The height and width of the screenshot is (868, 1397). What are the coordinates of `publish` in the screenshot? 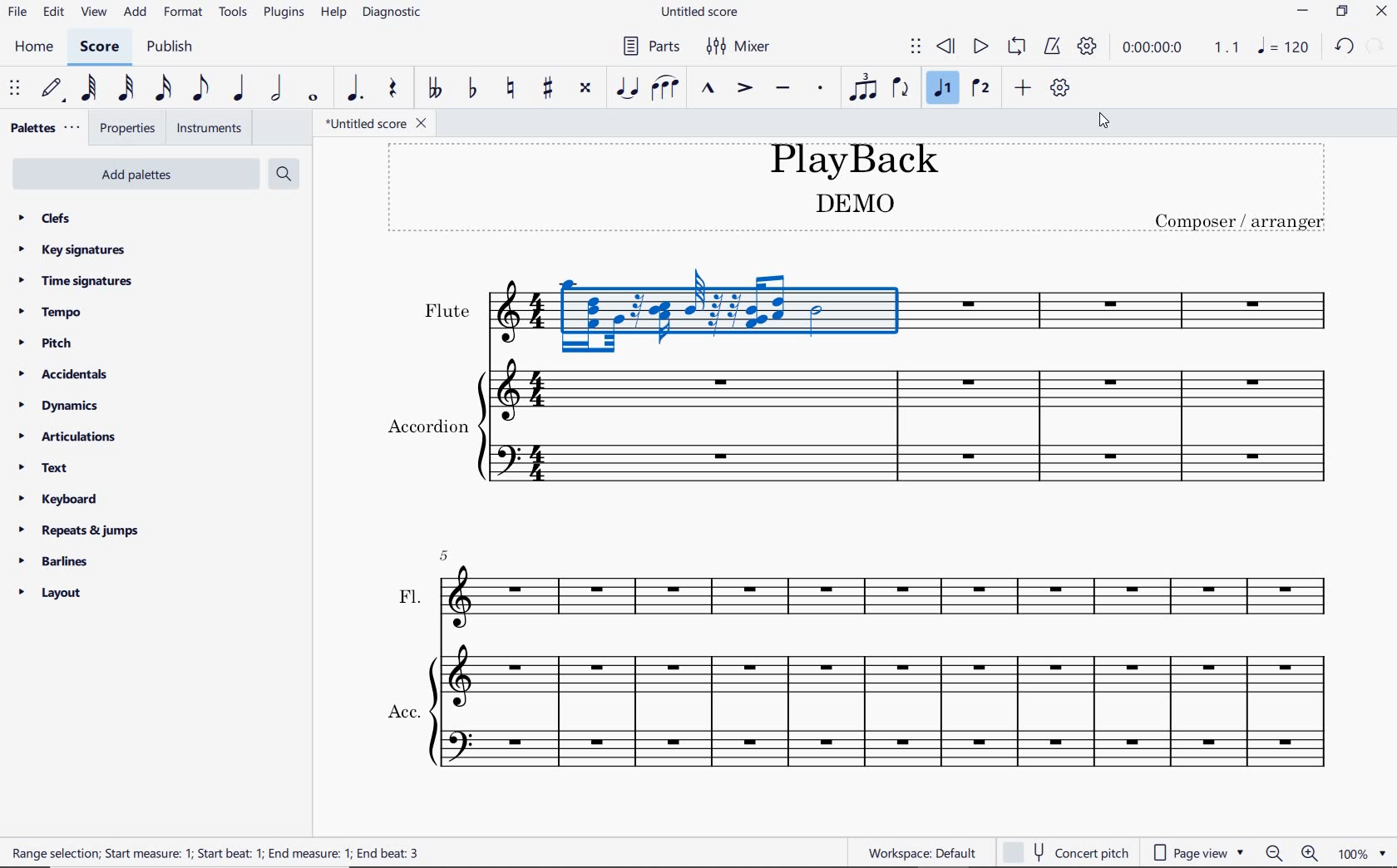 It's located at (174, 45).